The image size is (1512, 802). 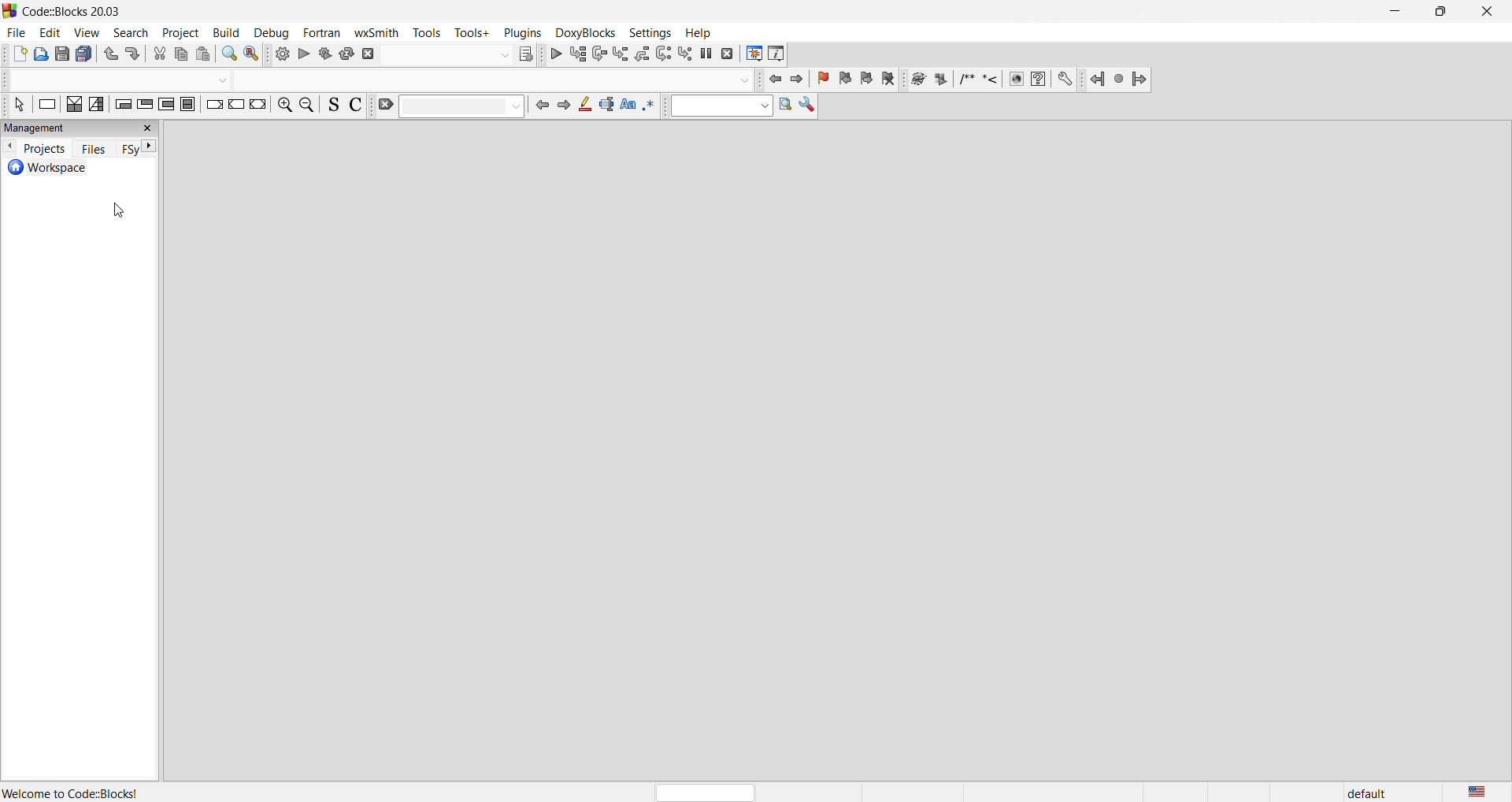 I want to click on clear bookmark, so click(x=891, y=80).